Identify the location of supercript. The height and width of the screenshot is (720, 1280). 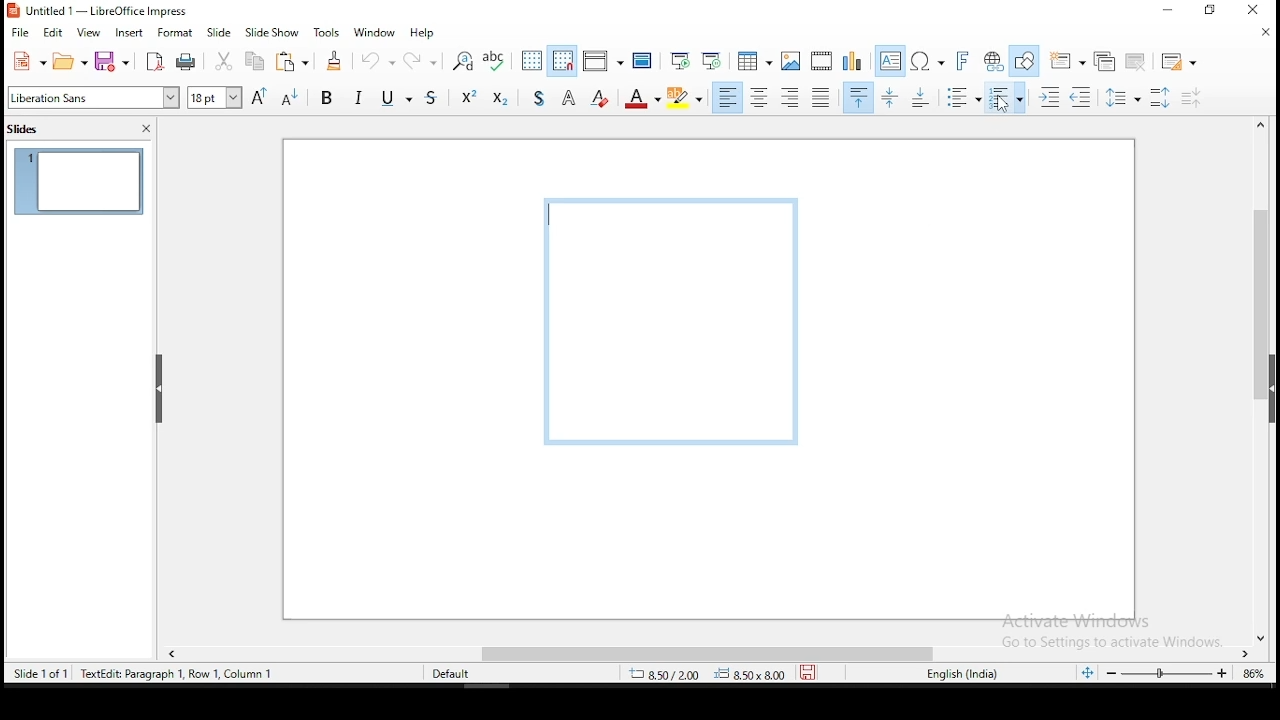
(464, 99).